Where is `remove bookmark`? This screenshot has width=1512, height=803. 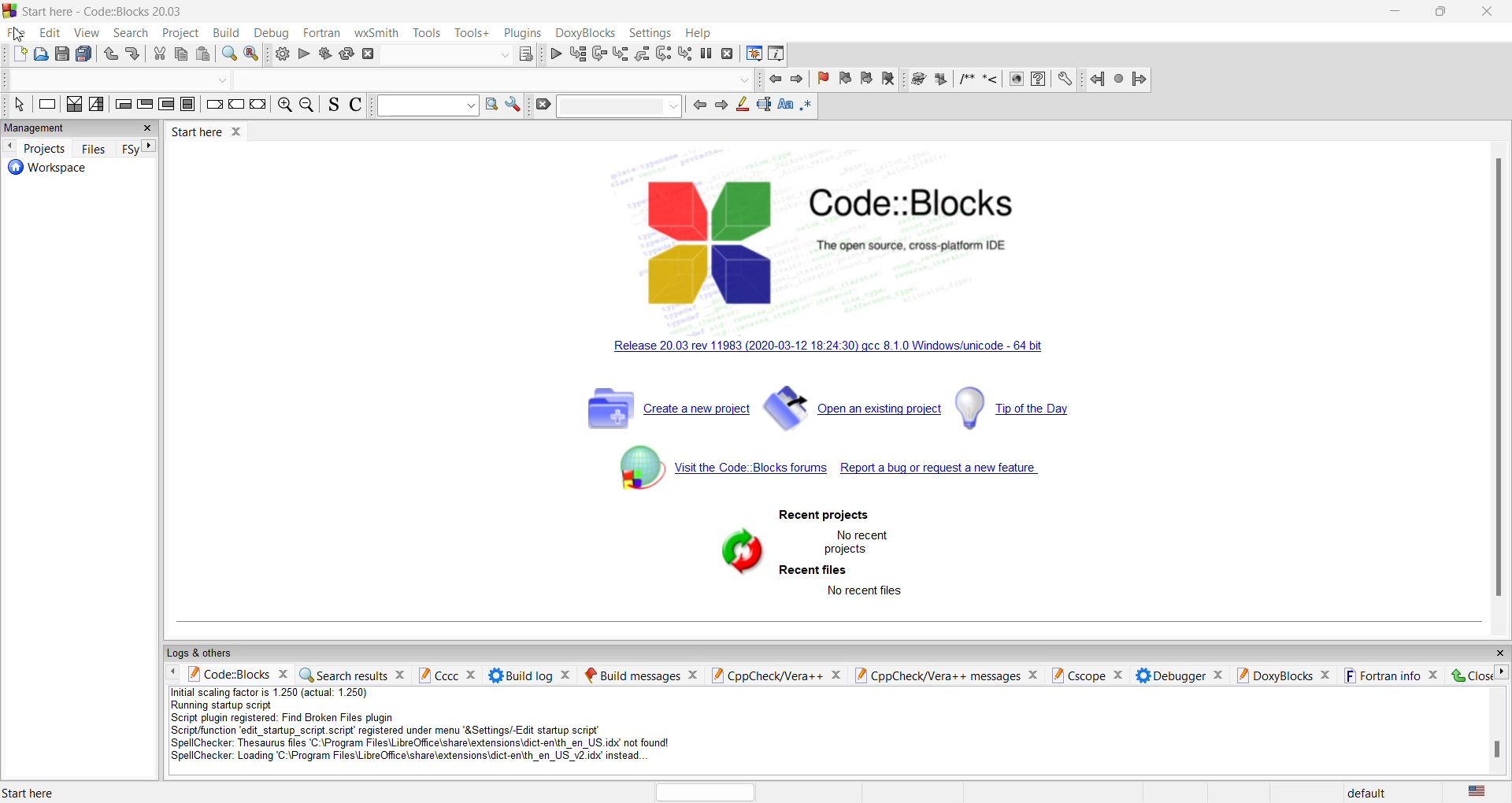 remove bookmark is located at coordinates (820, 80).